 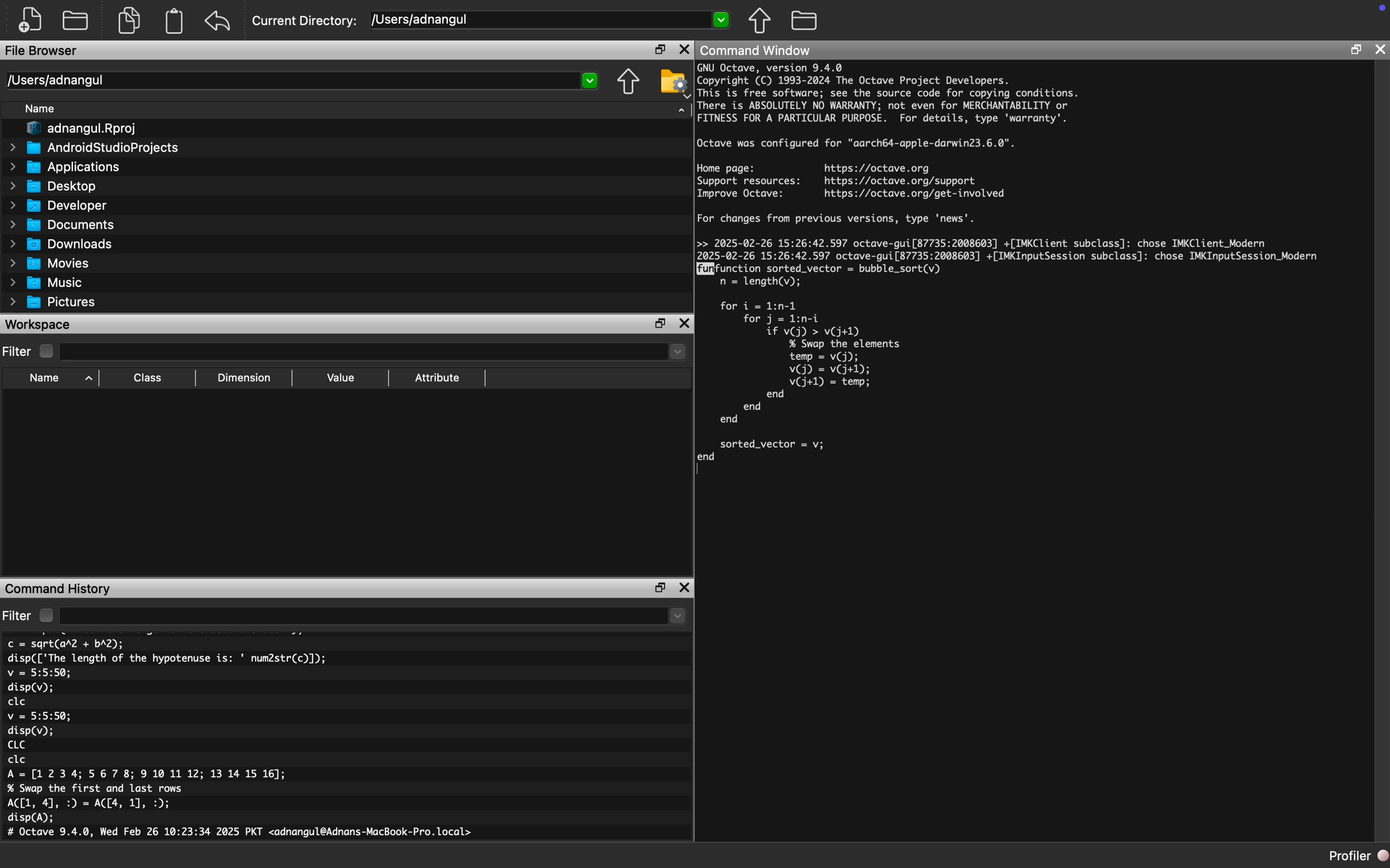 What do you see at coordinates (32, 21) in the screenshot?
I see `Add file` at bounding box center [32, 21].